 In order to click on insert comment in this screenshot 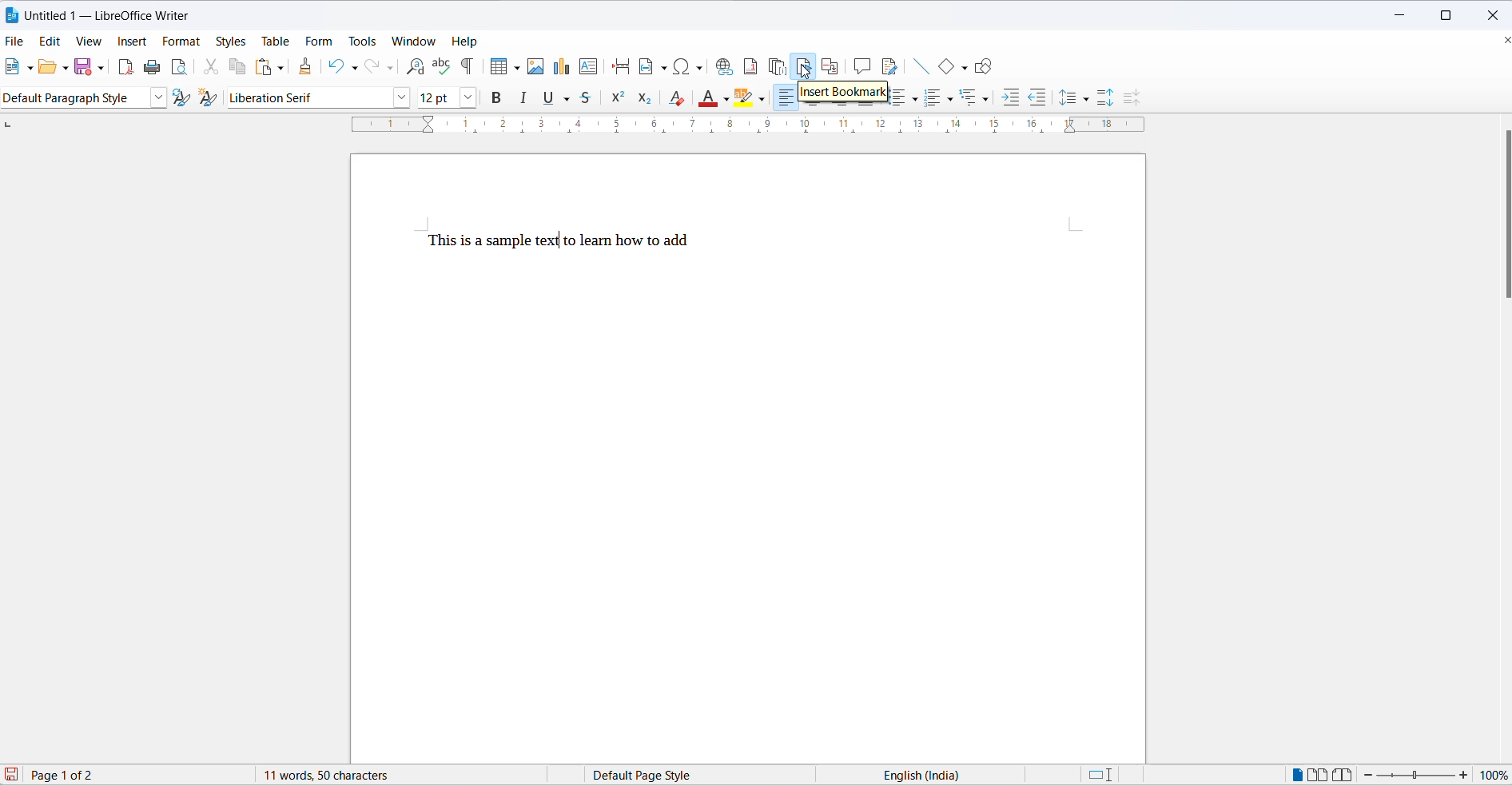, I will do `click(861, 66)`.